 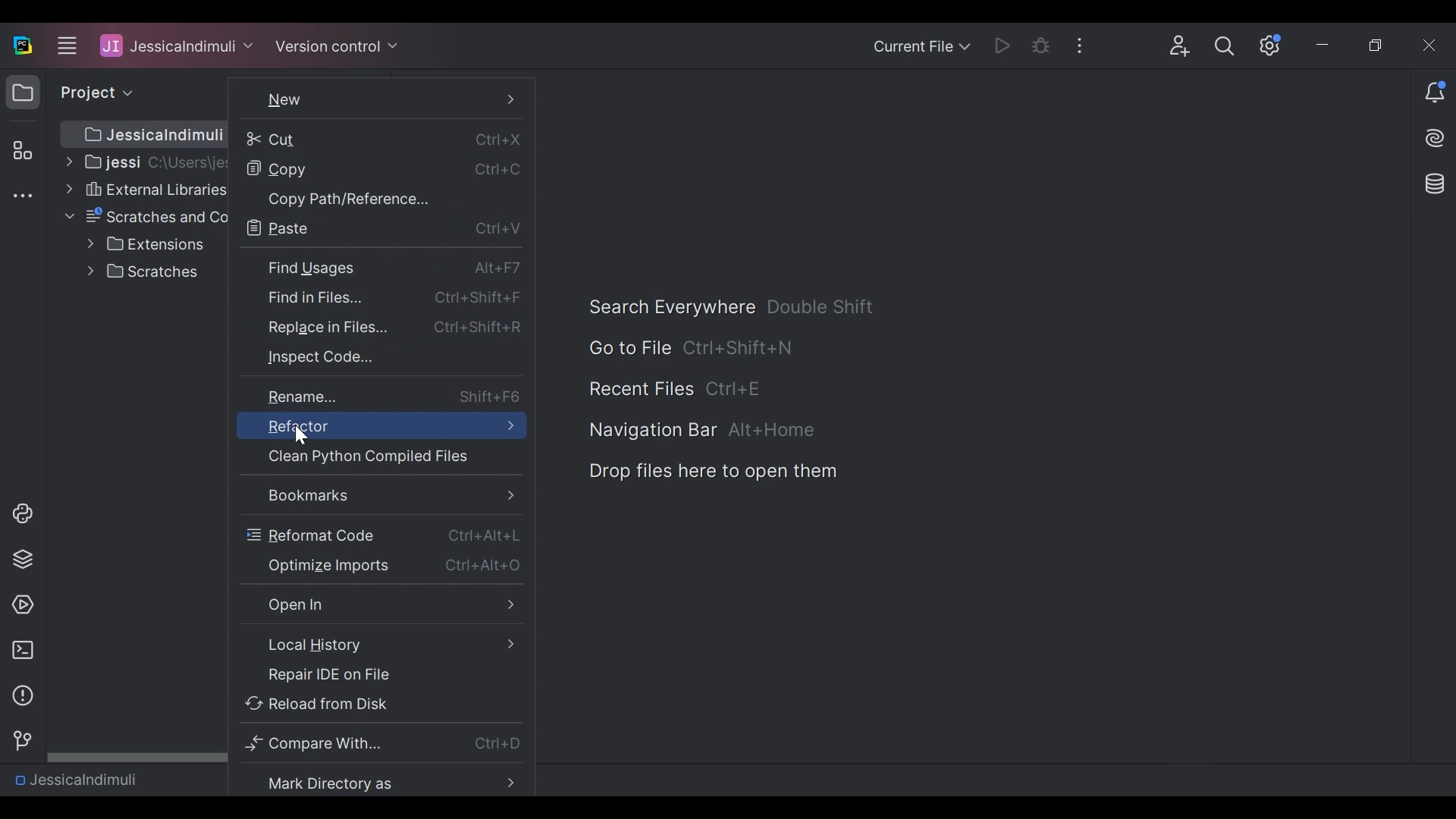 I want to click on PyCharm Desktop Icon, so click(x=24, y=46).